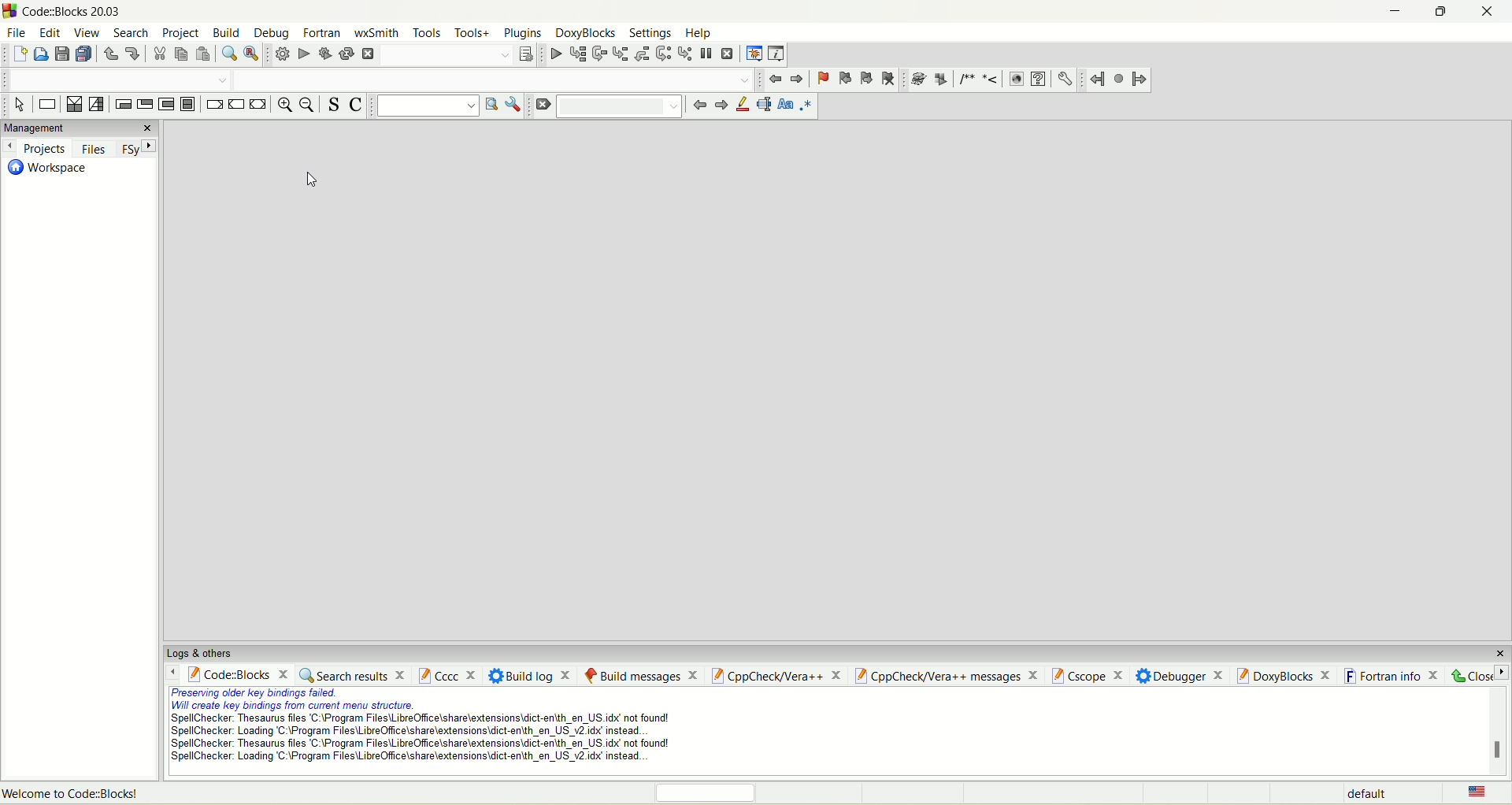 The image size is (1512, 805). What do you see at coordinates (302, 54) in the screenshot?
I see `run` at bounding box center [302, 54].